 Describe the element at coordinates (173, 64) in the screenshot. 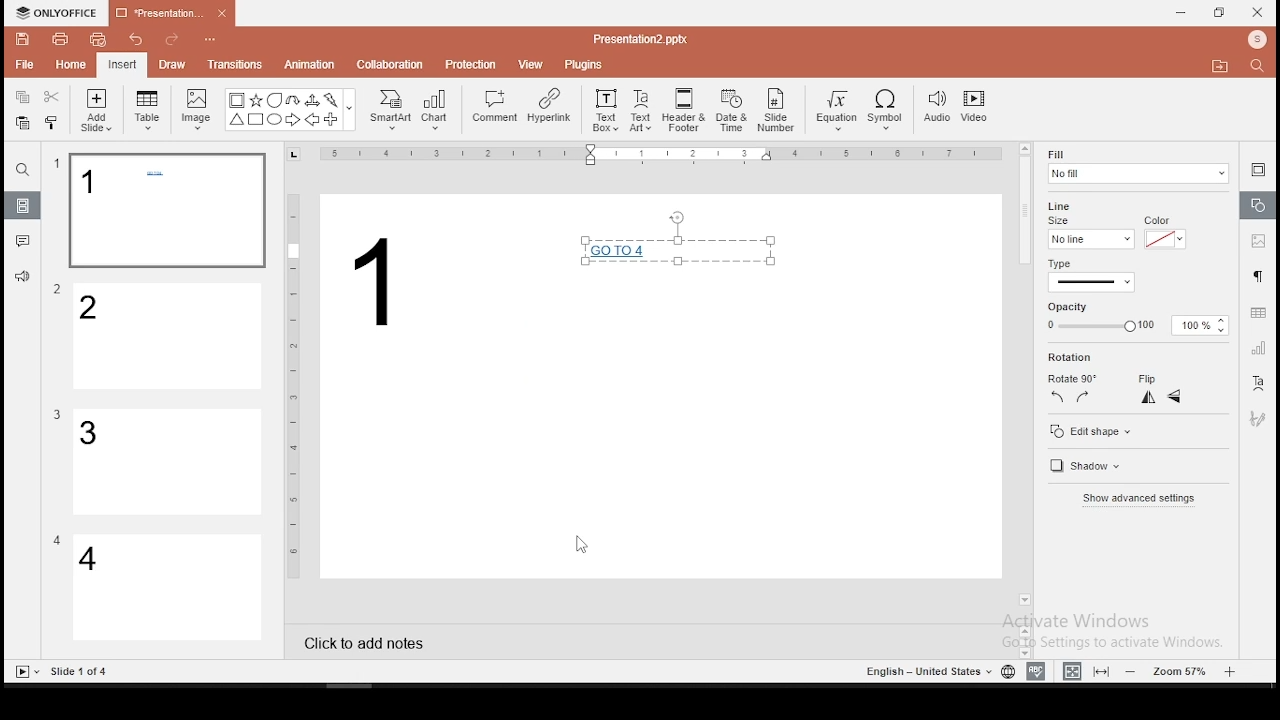

I see `draw` at that location.